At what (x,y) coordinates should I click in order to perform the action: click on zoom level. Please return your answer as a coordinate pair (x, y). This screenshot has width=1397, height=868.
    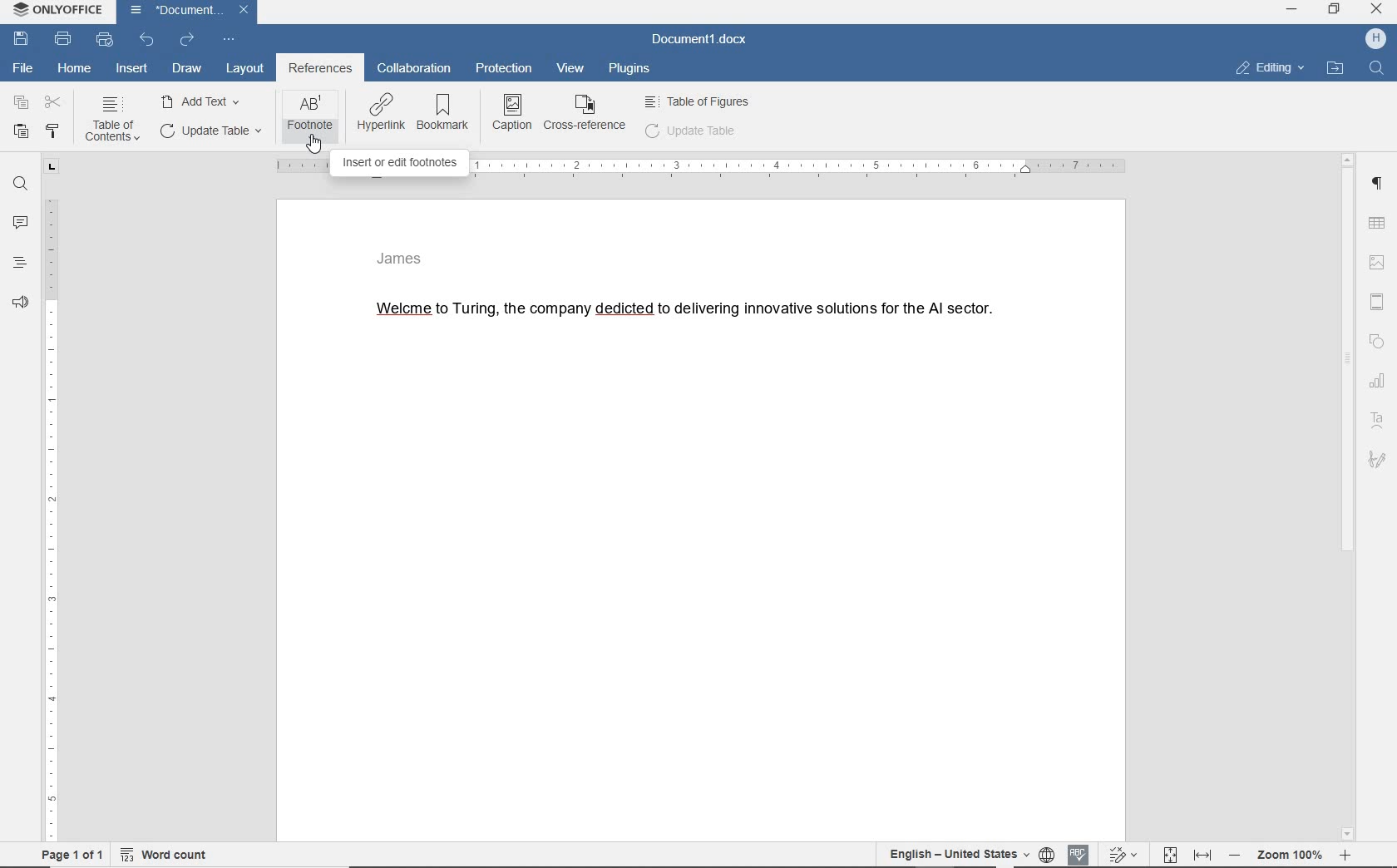
    Looking at the image, I should click on (1291, 857).